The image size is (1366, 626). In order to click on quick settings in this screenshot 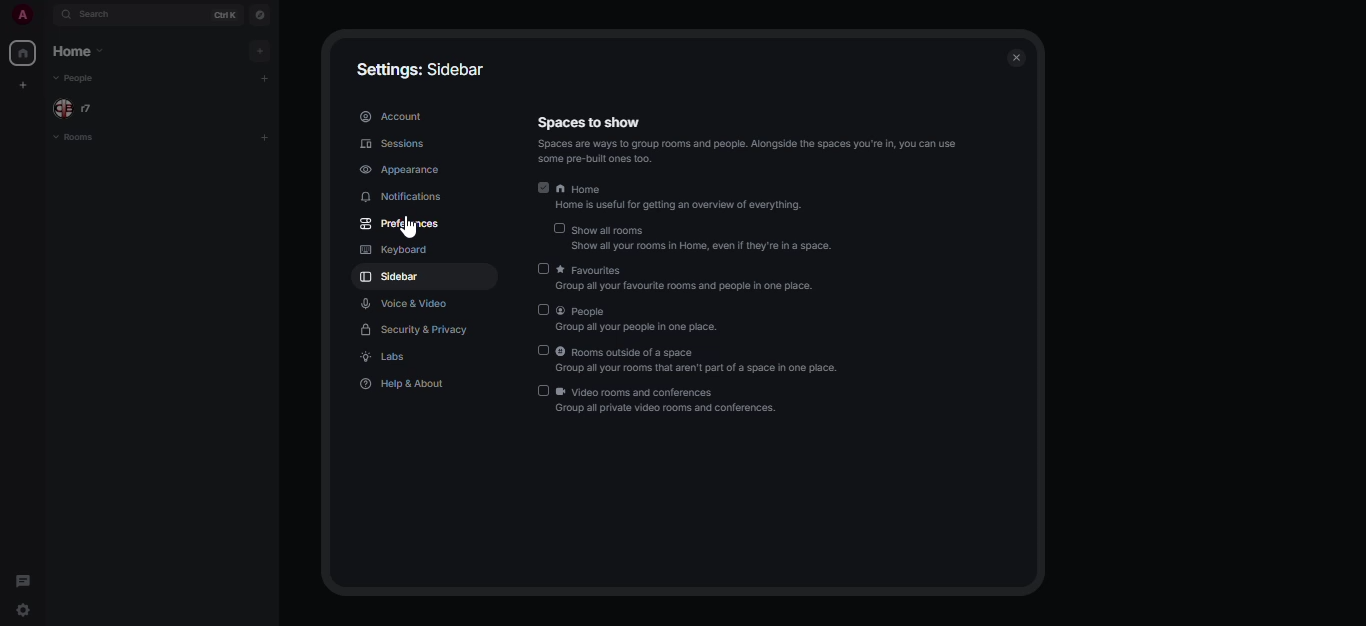, I will do `click(25, 610)`.